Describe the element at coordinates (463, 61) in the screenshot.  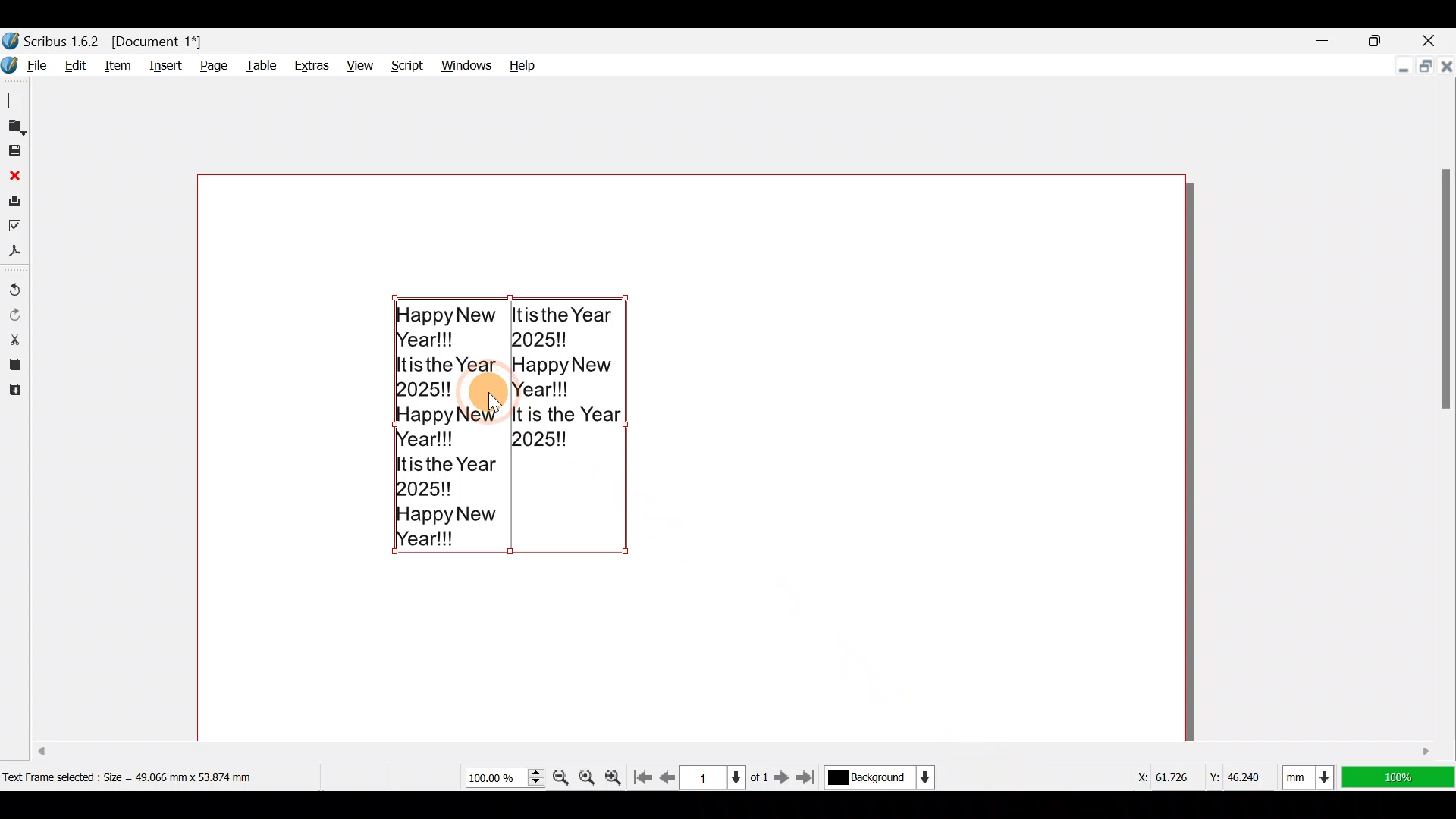
I see `Windows` at that location.